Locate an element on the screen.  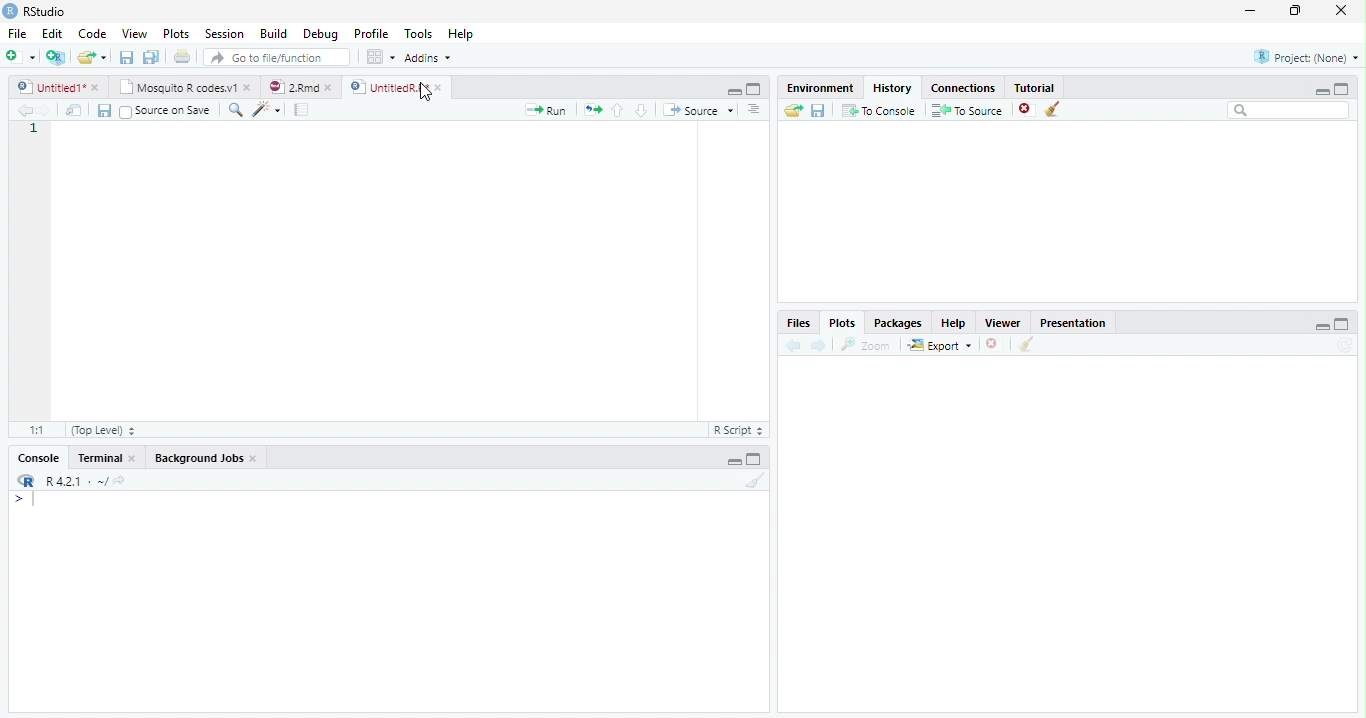
Delete file is located at coordinates (1028, 109).